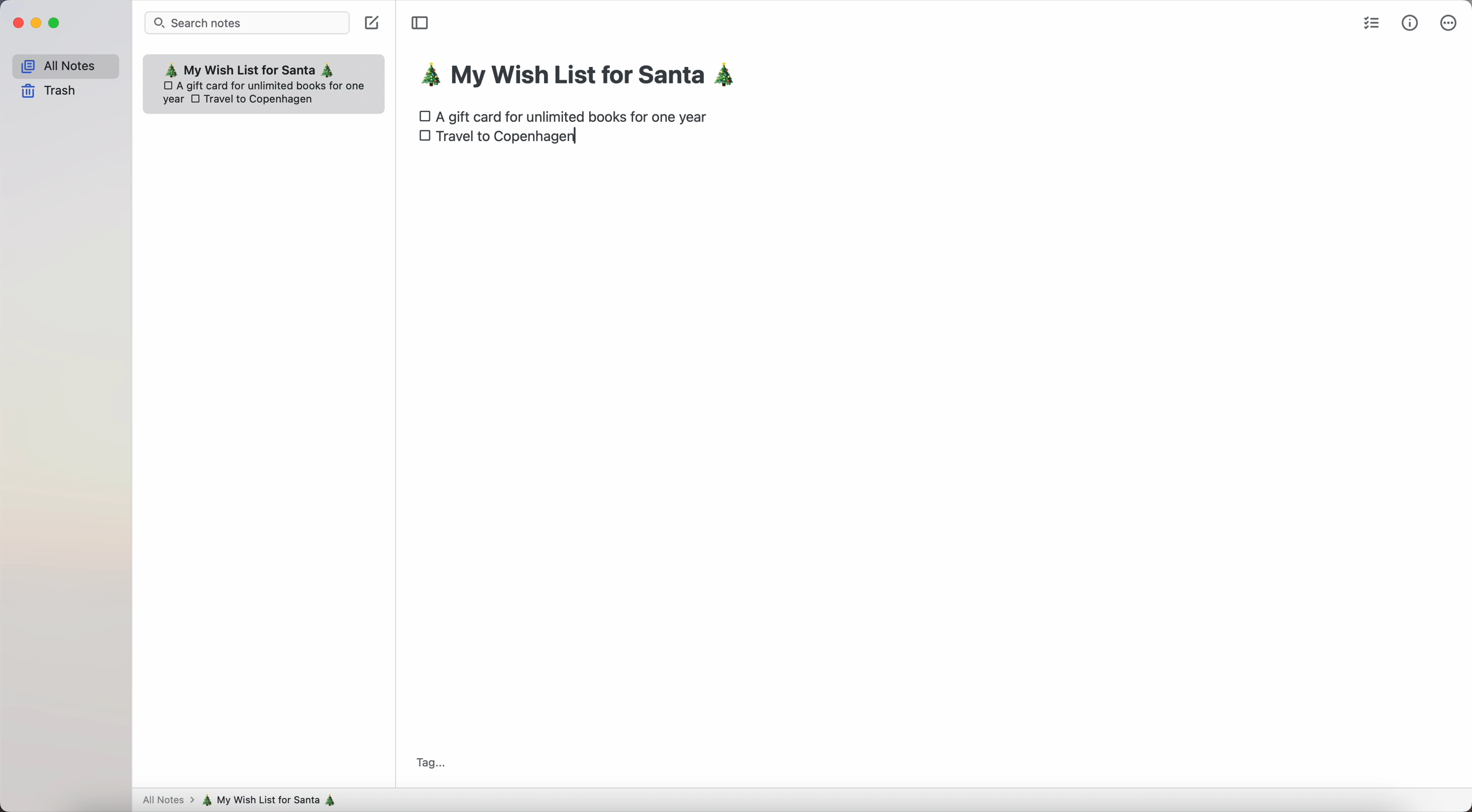  What do you see at coordinates (274, 800) in the screenshot?
I see `my wish list for Santa` at bounding box center [274, 800].